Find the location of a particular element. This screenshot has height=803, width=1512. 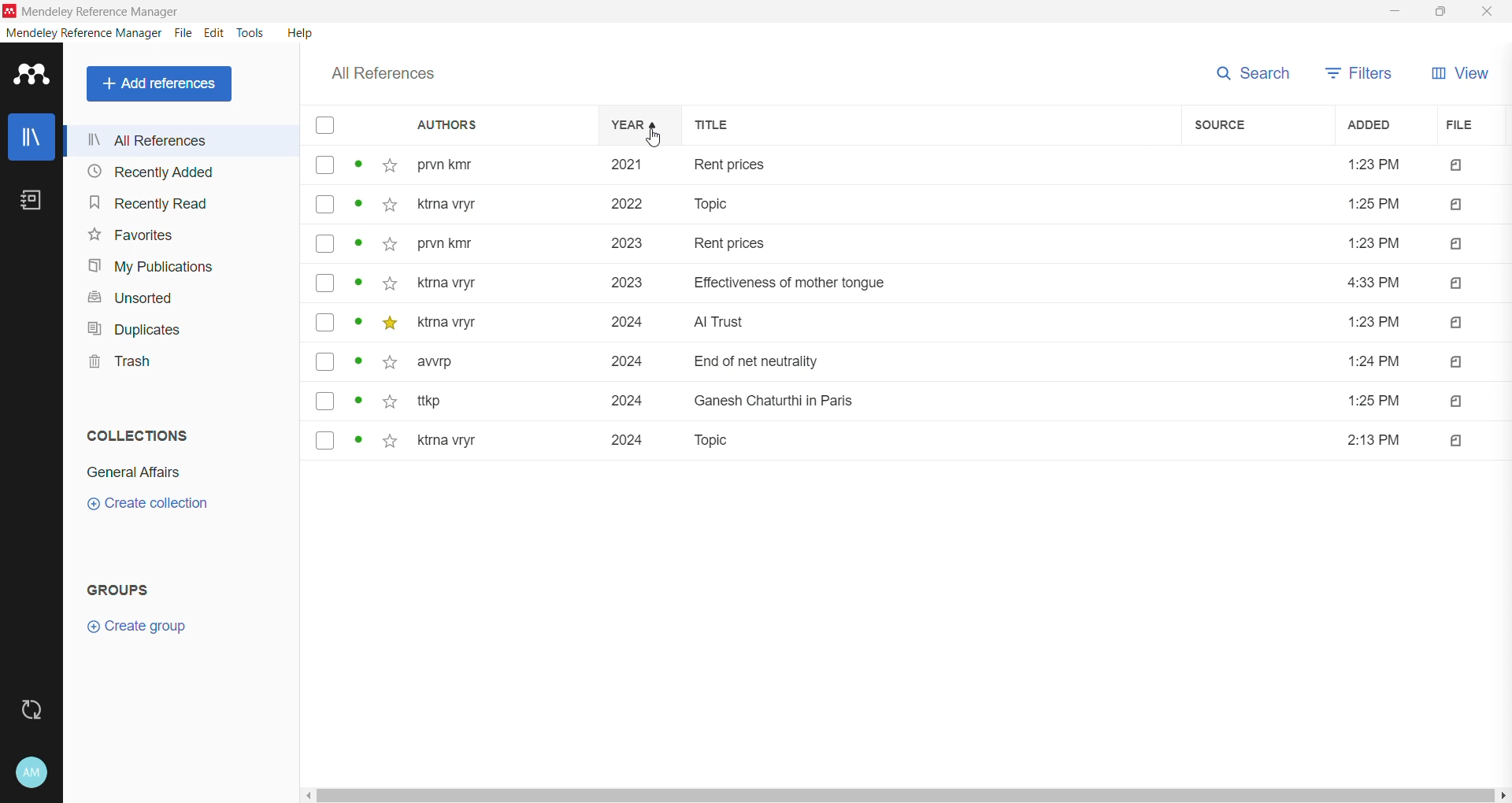

2024 is located at coordinates (628, 401).